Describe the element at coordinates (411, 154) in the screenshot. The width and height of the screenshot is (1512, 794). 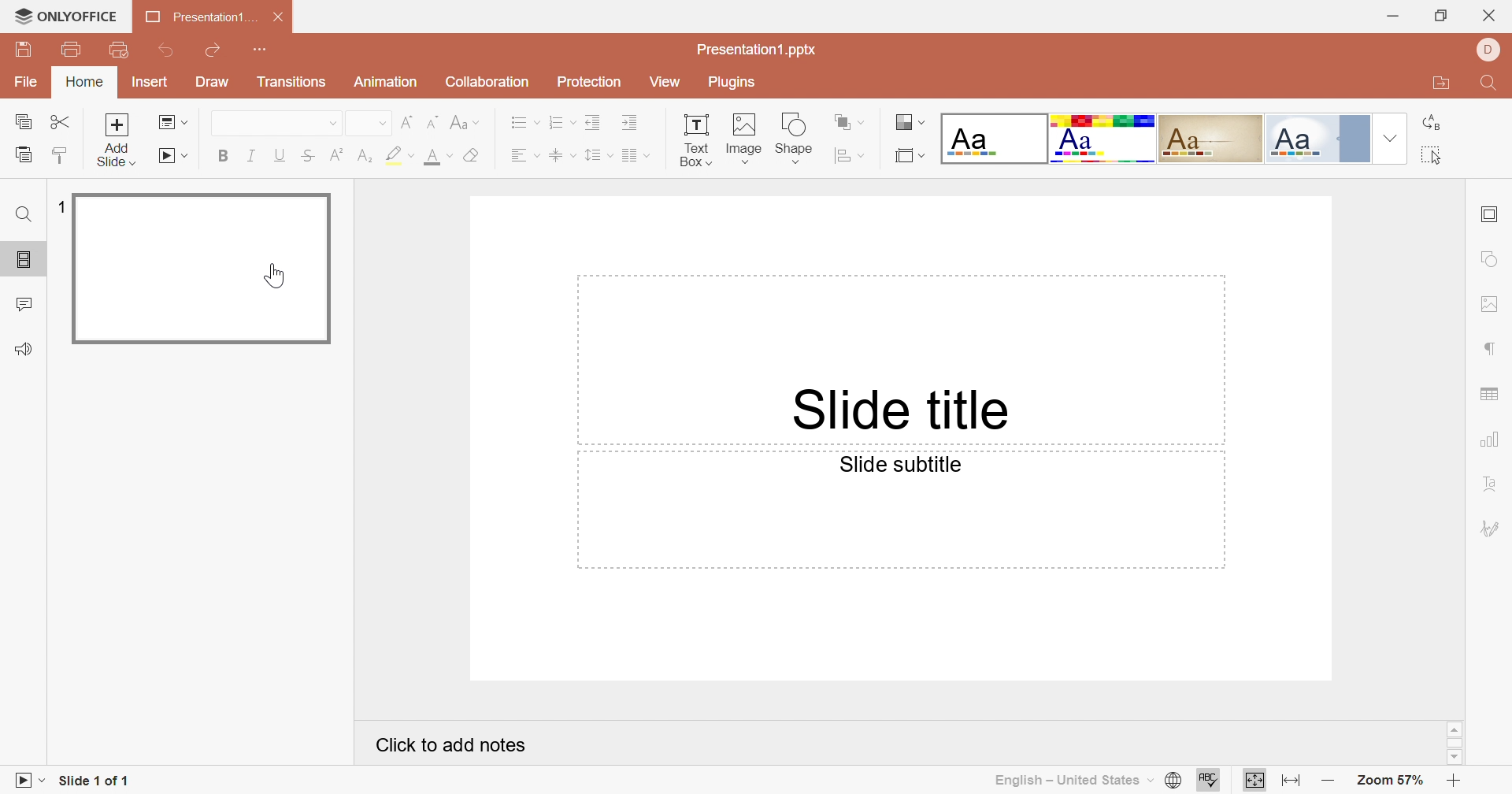
I see `Drop Down` at that location.